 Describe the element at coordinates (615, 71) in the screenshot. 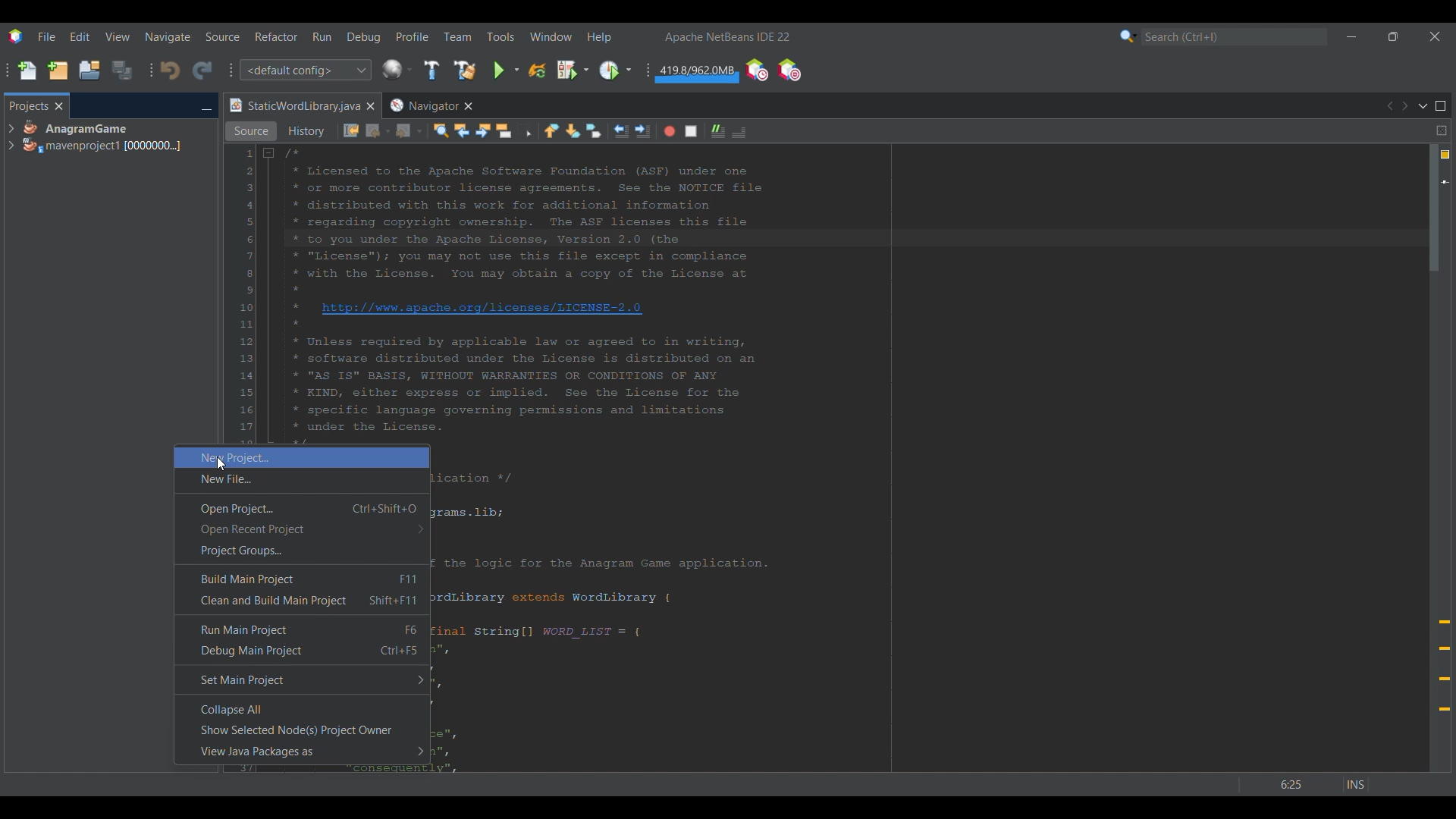

I see `Profile main project options` at that location.